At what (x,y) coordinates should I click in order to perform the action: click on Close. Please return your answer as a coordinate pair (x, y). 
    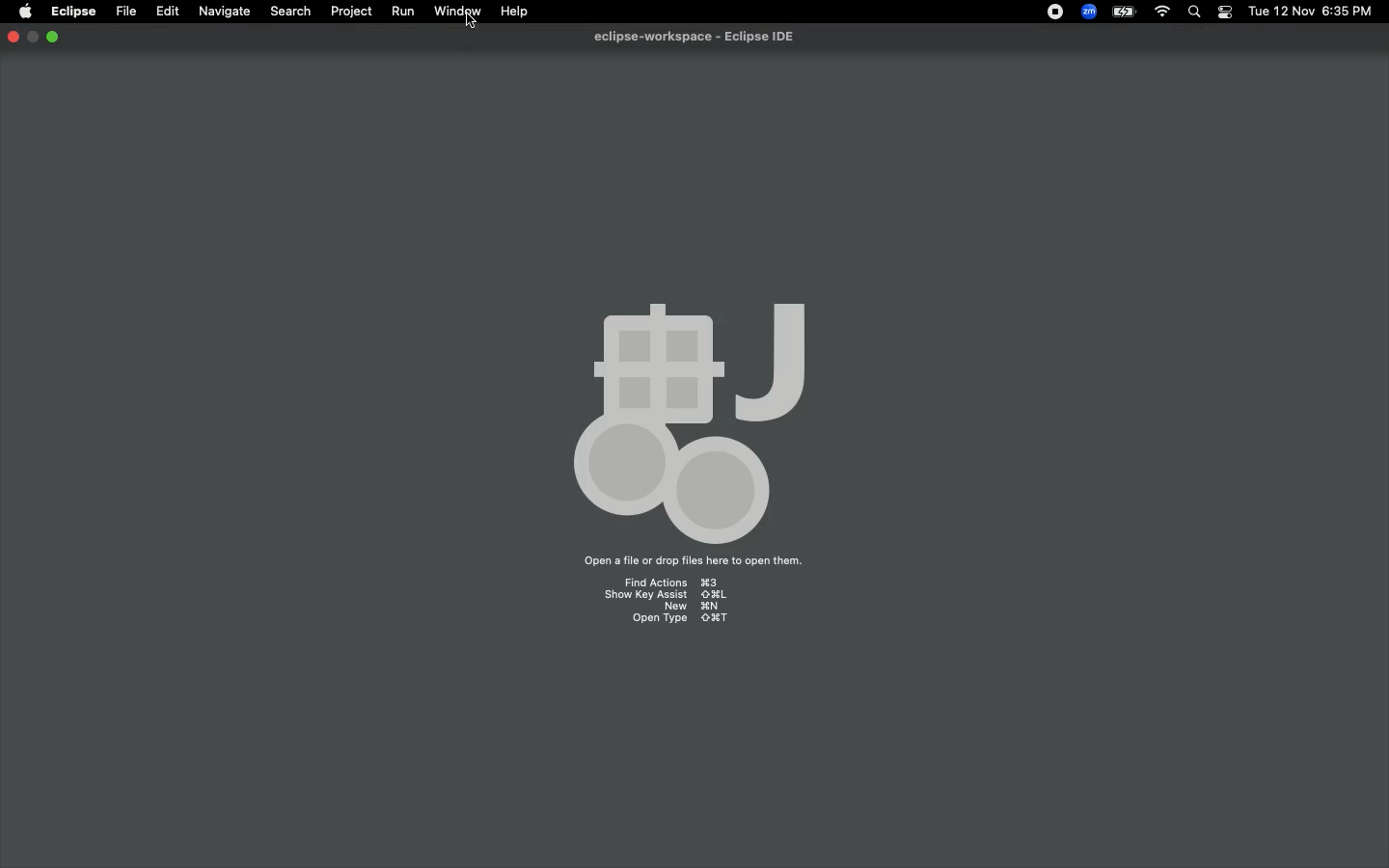
    Looking at the image, I should click on (12, 39).